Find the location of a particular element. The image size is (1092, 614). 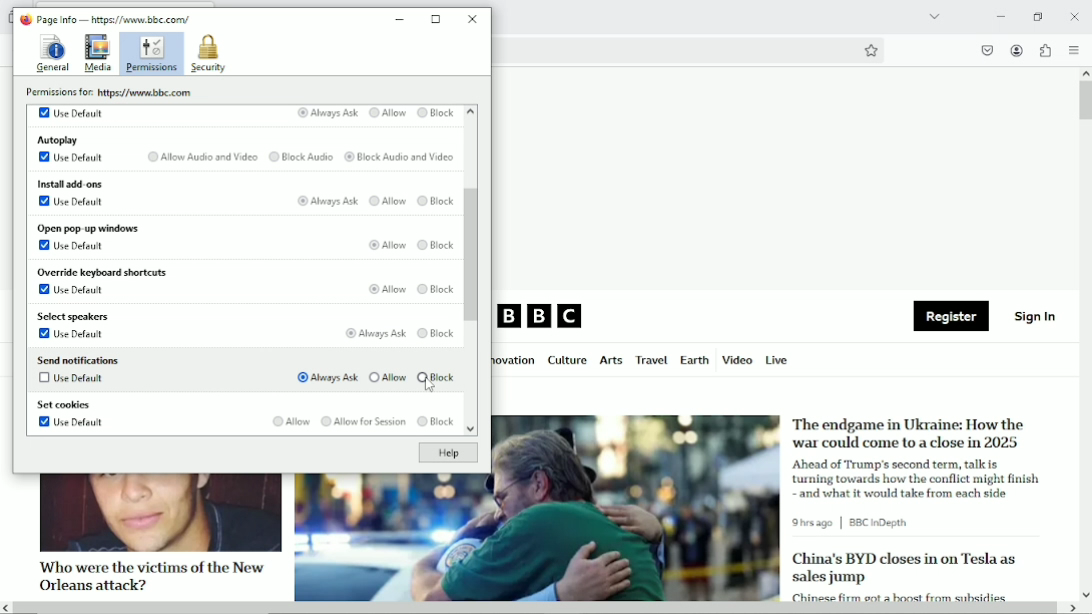

Block audio and video is located at coordinates (399, 158).